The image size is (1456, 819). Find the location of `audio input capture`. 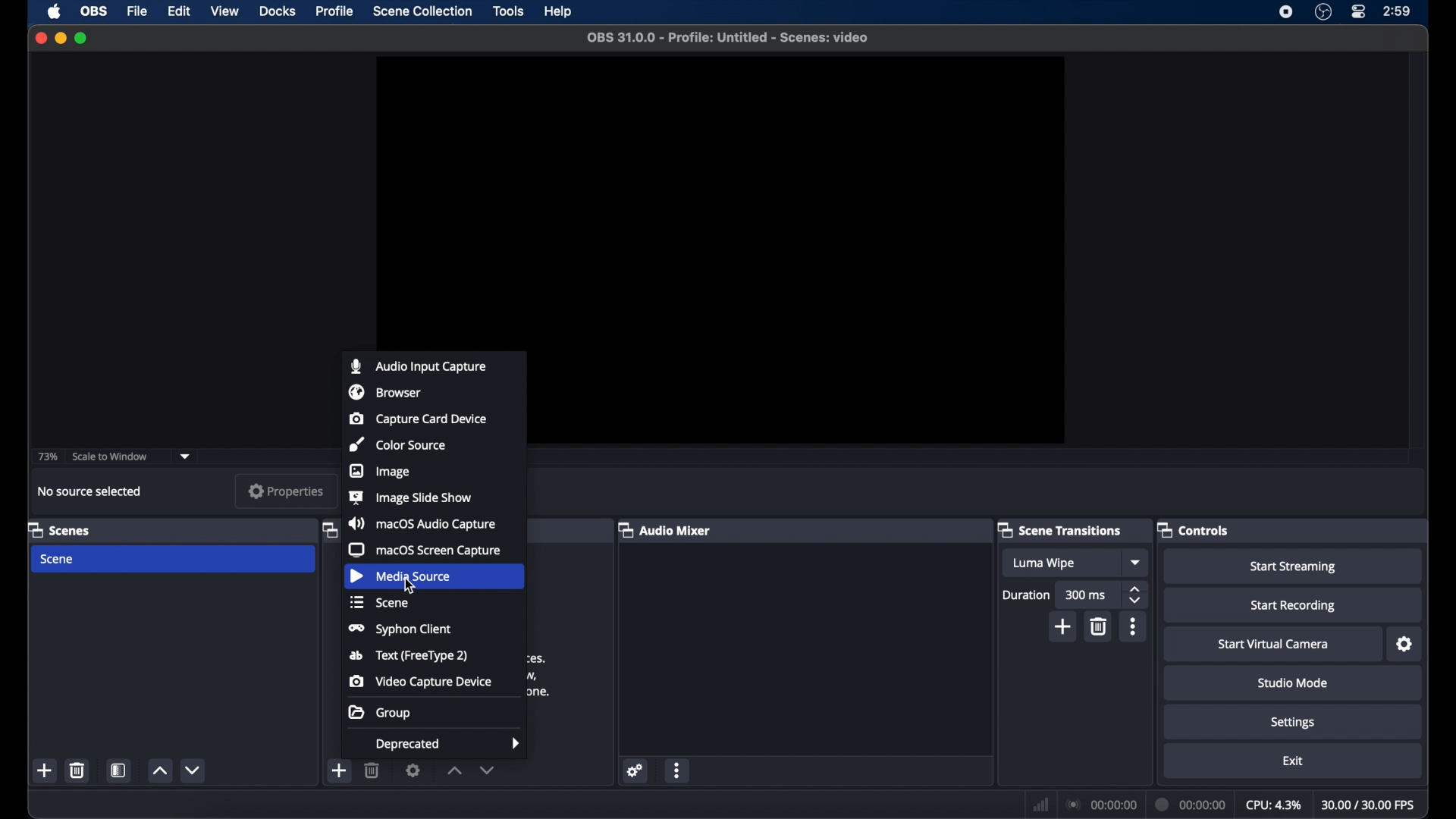

audio input capture is located at coordinates (418, 367).